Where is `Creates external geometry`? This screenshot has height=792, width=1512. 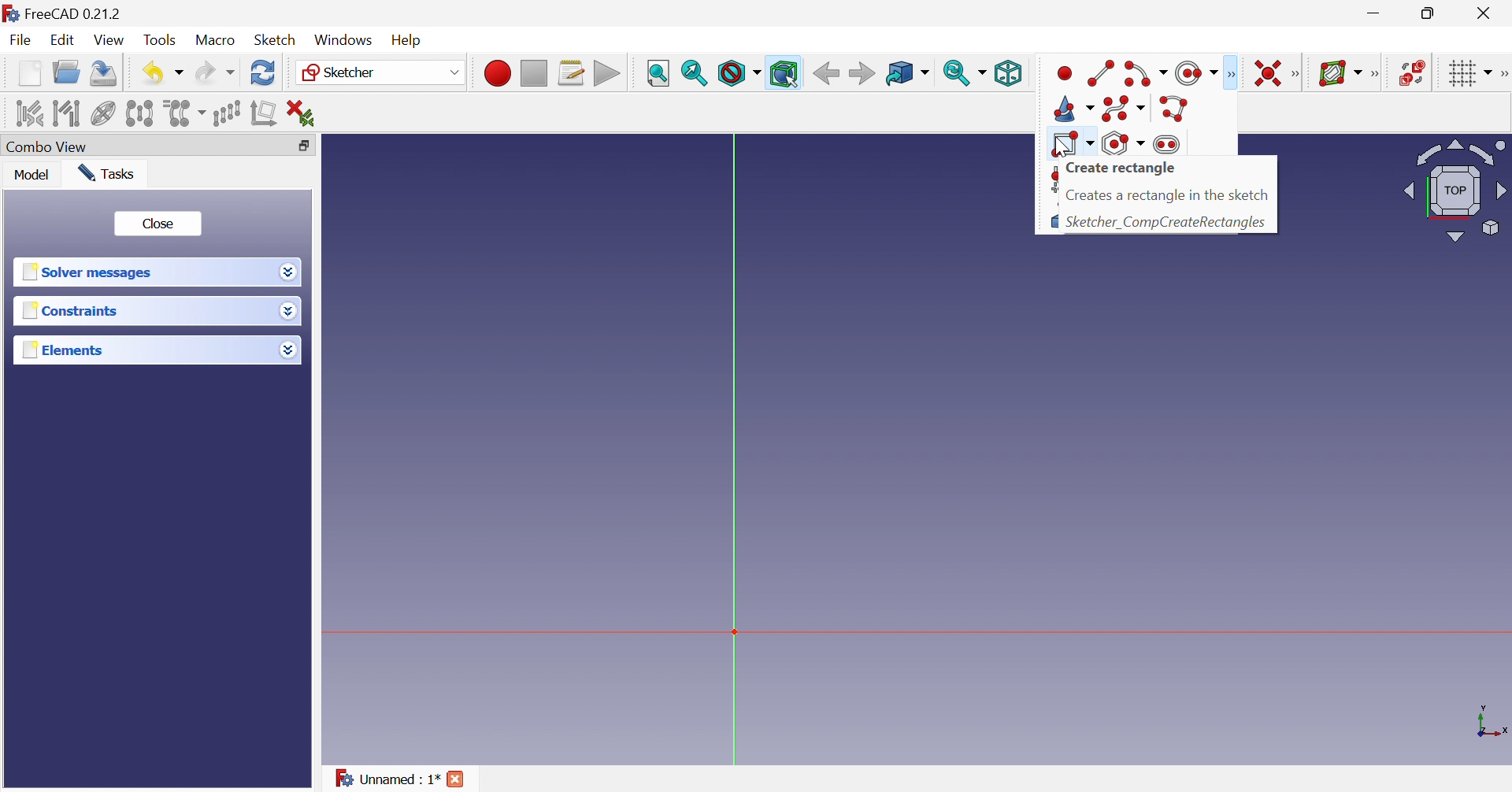 Creates external geometry is located at coordinates (1050, 221).